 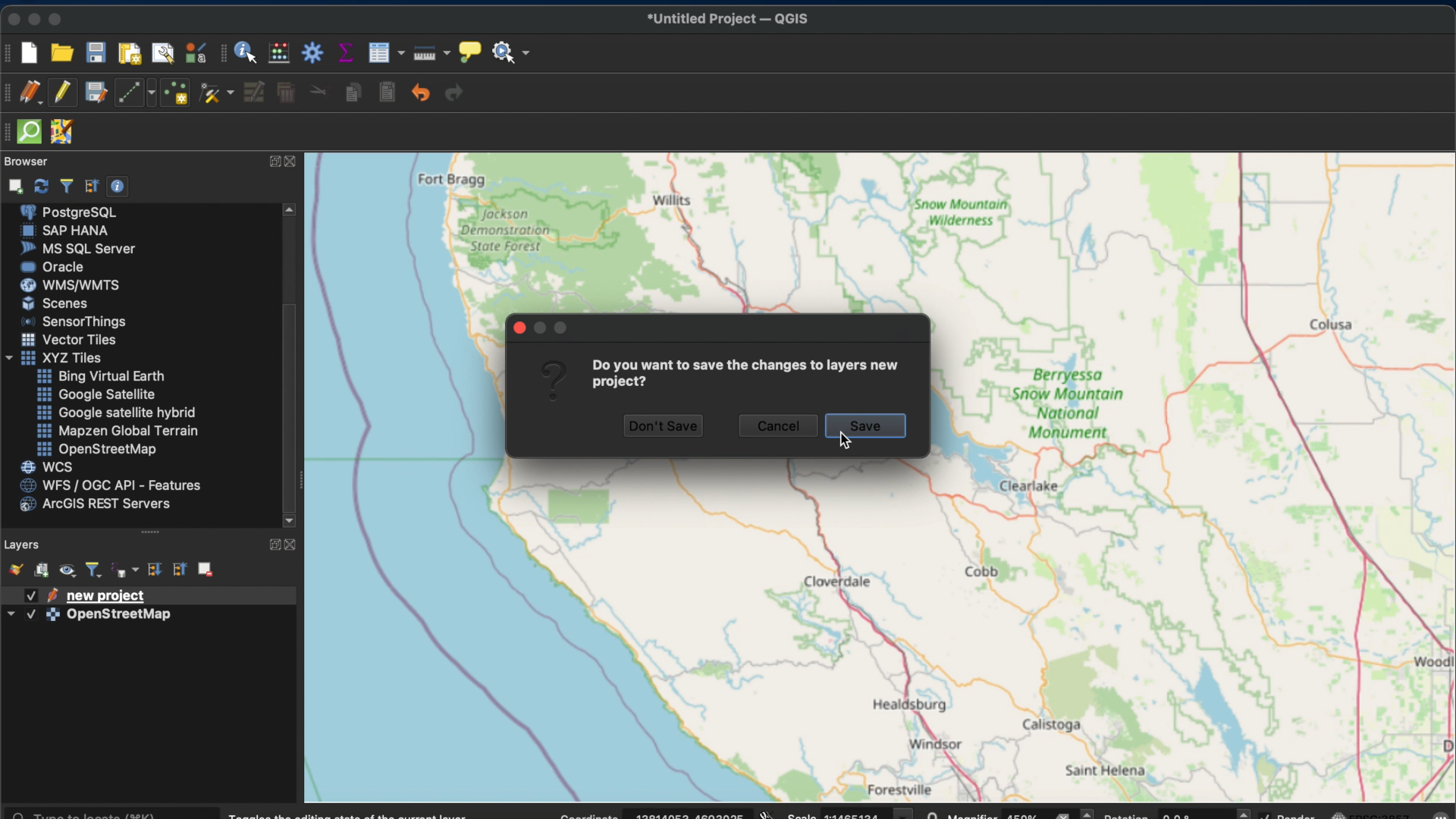 I want to click on SCROLLBAR, so click(x=293, y=367).